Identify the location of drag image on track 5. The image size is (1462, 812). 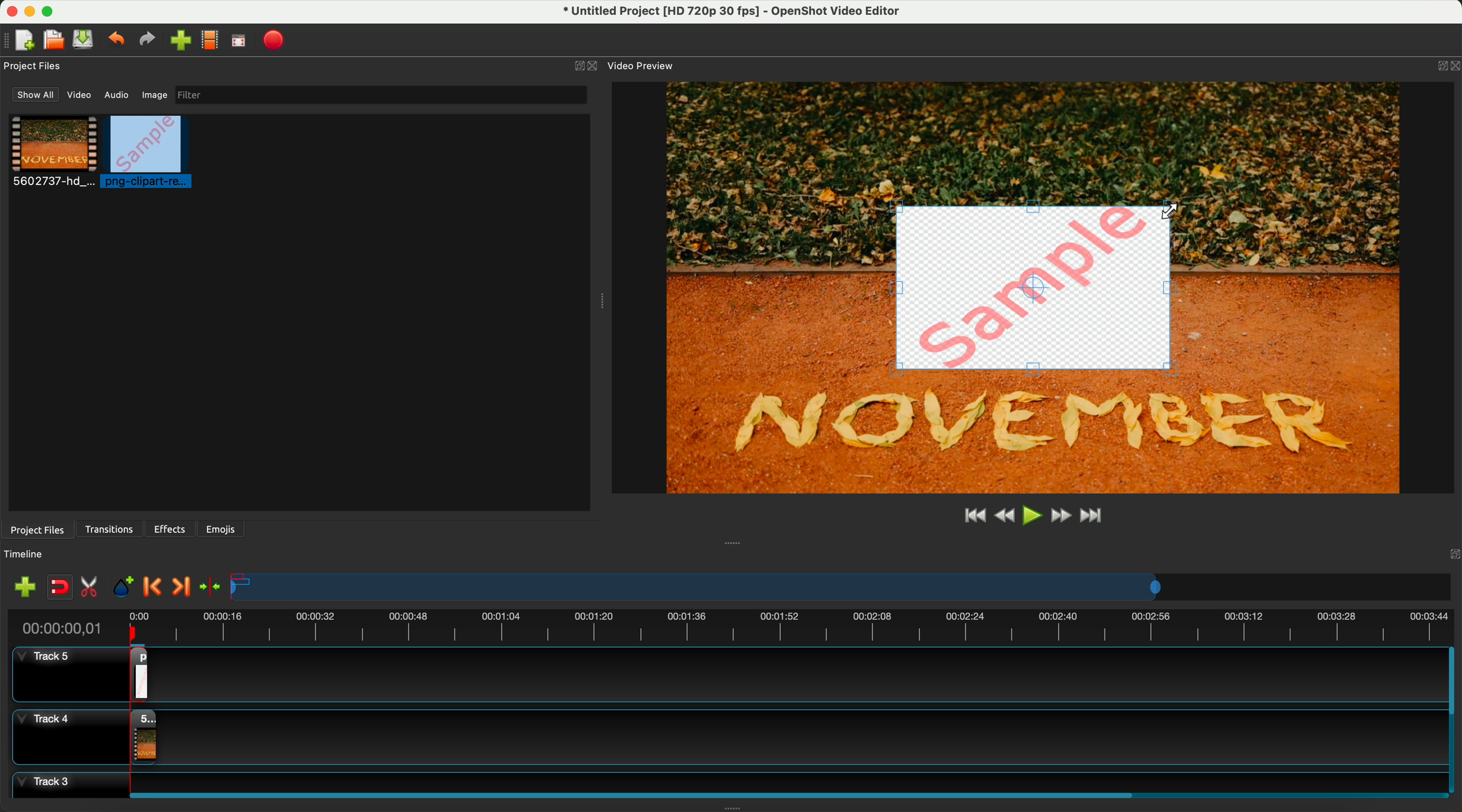
(142, 673).